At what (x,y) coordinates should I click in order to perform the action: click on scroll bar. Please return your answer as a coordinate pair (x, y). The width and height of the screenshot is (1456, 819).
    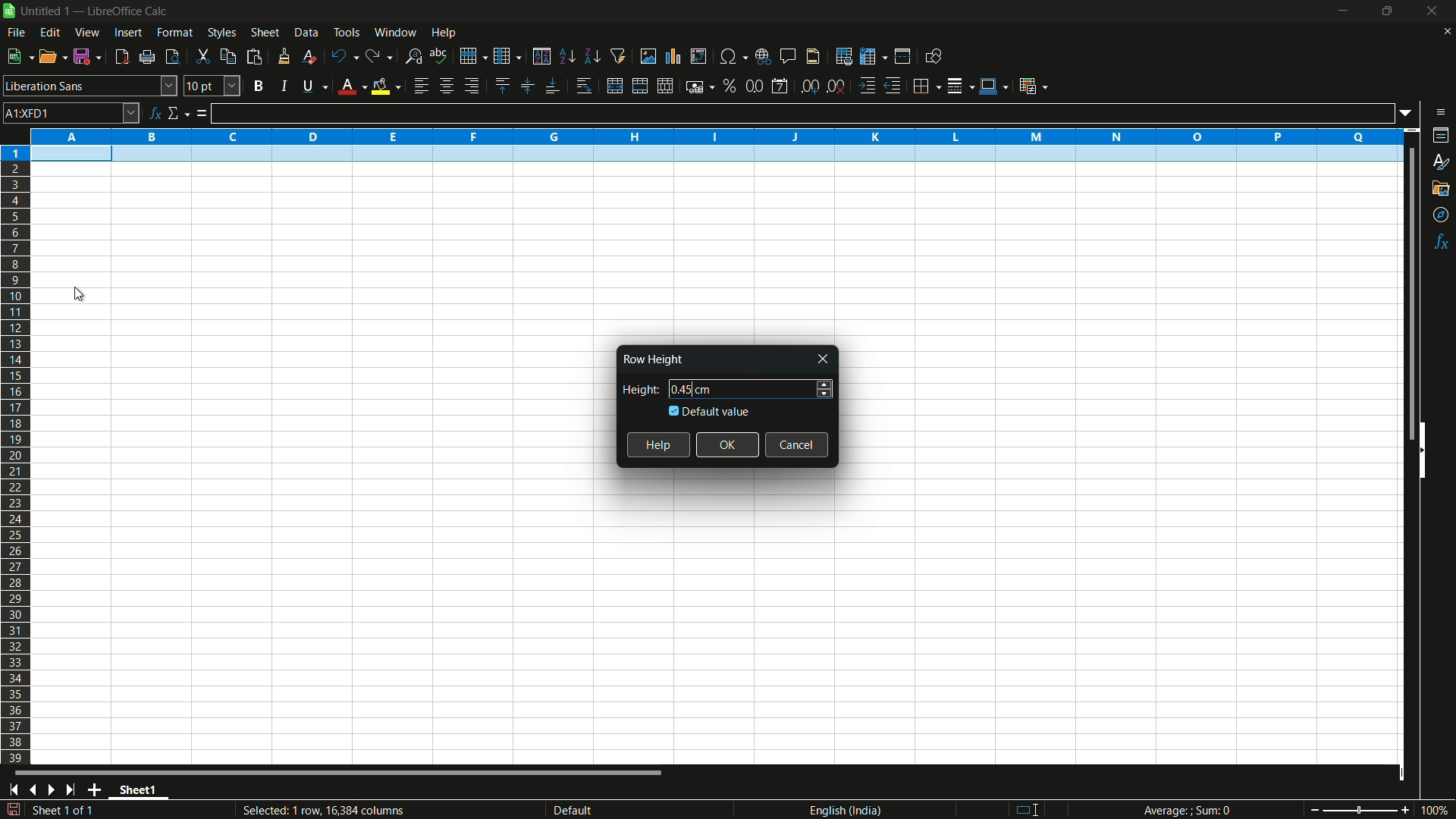
    Looking at the image, I should click on (340, 775).